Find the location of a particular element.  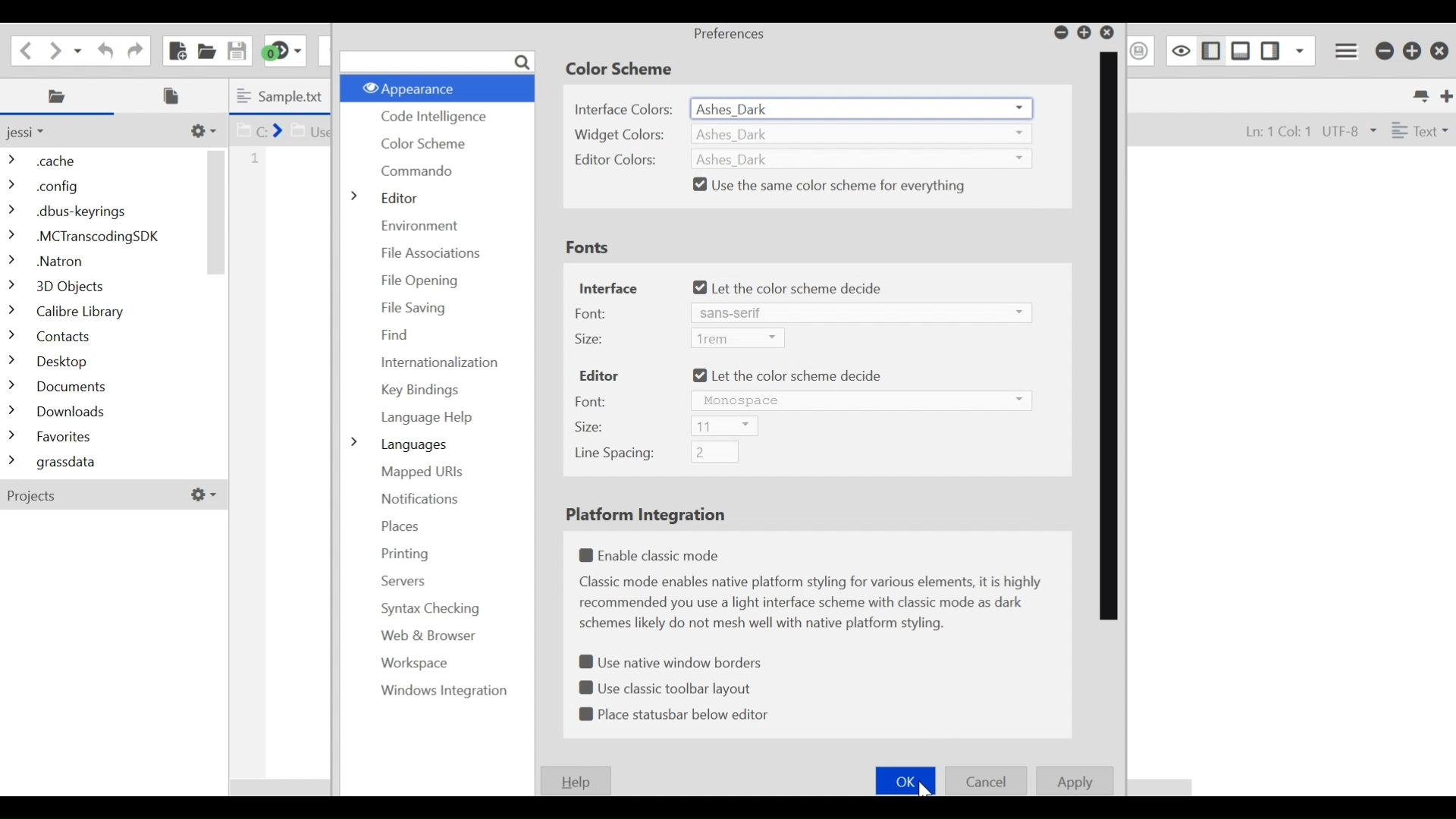

Syntax Checking is located at coordinates (425, 609).